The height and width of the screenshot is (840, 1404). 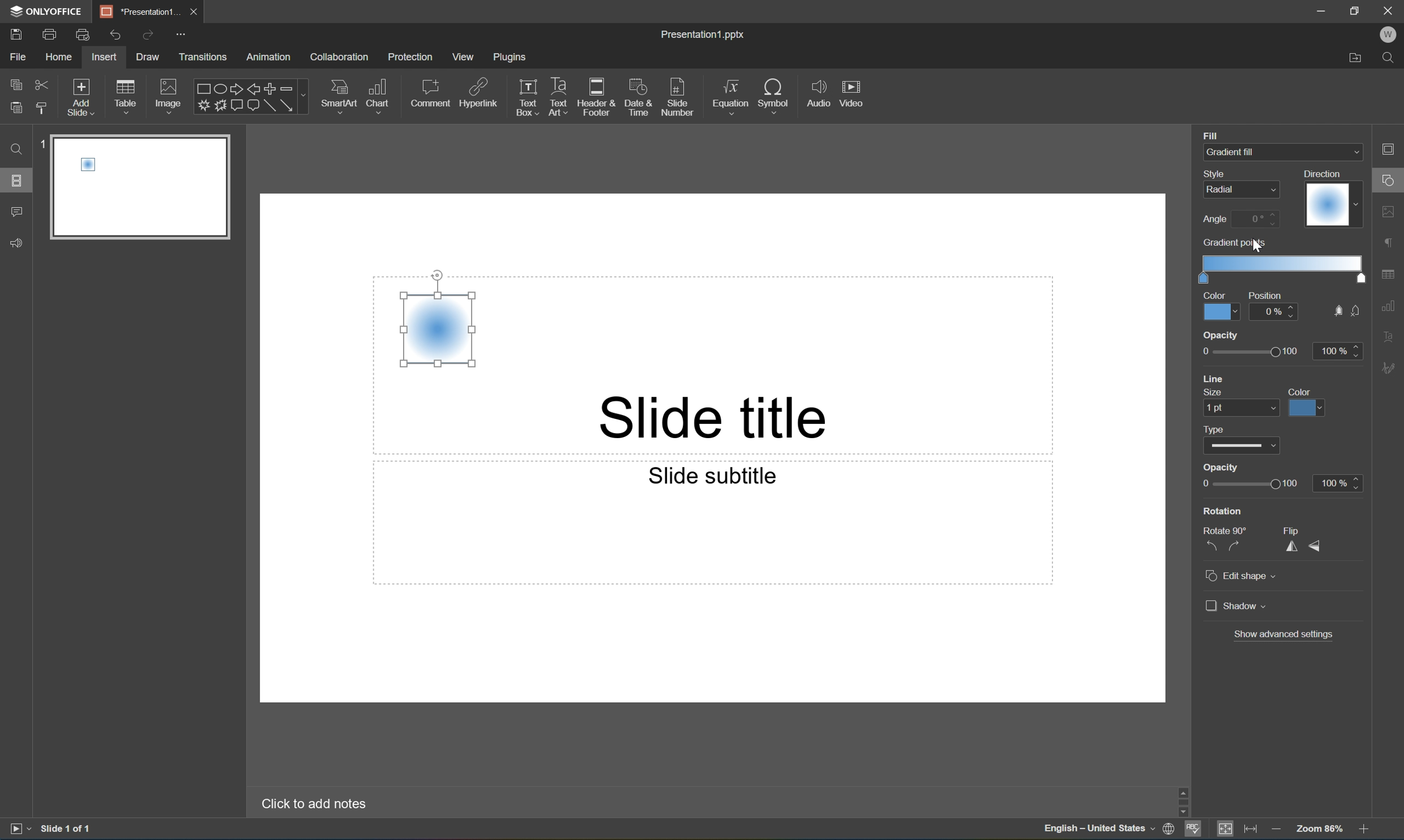 What do you see at coordinates (254, 90) in the screenshot?
I see `Left arrow` at bounding box center [254, 90].